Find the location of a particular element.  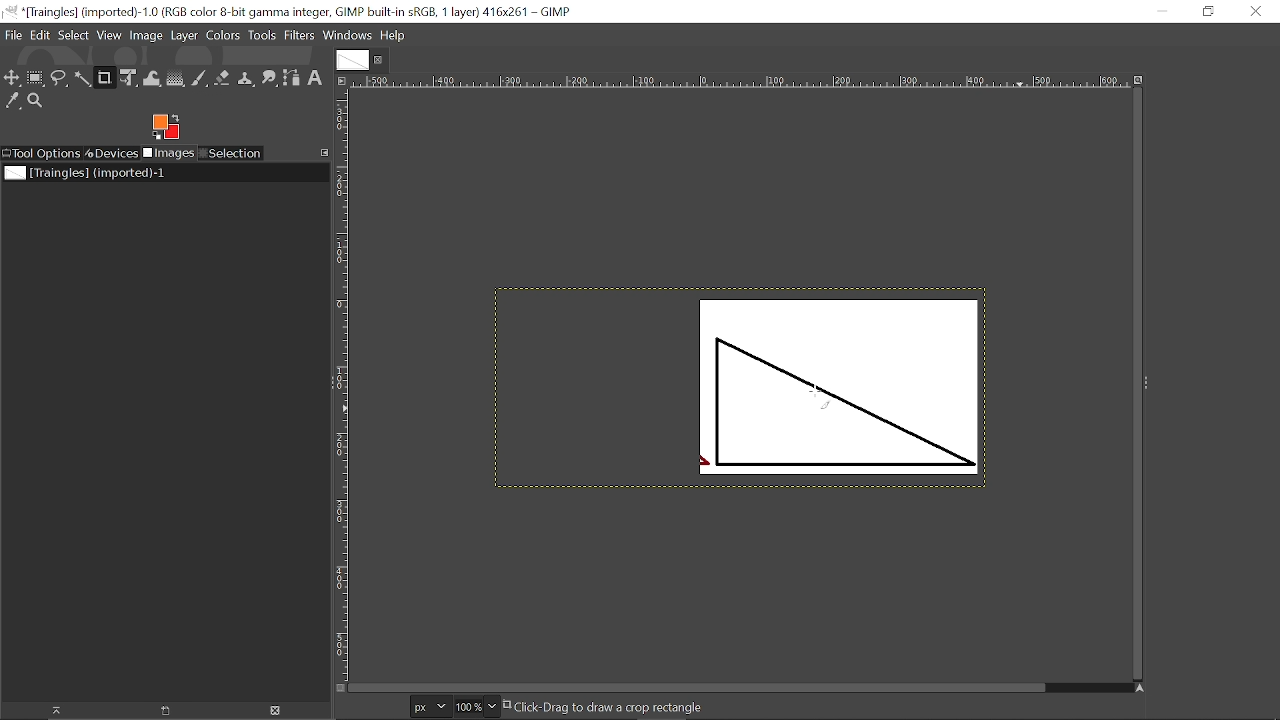

Free select tool is located at coordinates (60, 79).